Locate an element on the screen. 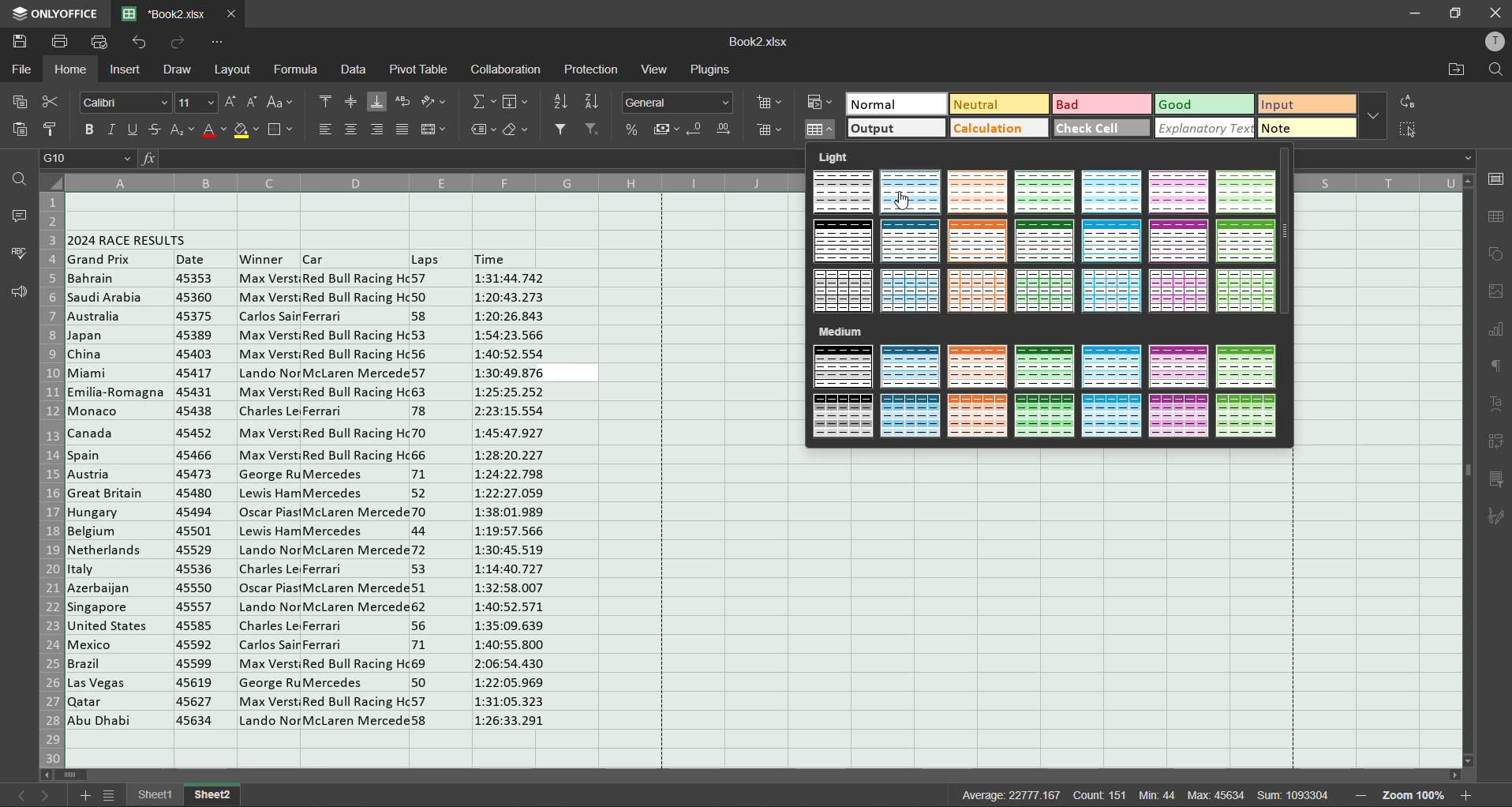 The width and height of the screenshot is (1512, 807). profile is located at coordinates (1489, 41).